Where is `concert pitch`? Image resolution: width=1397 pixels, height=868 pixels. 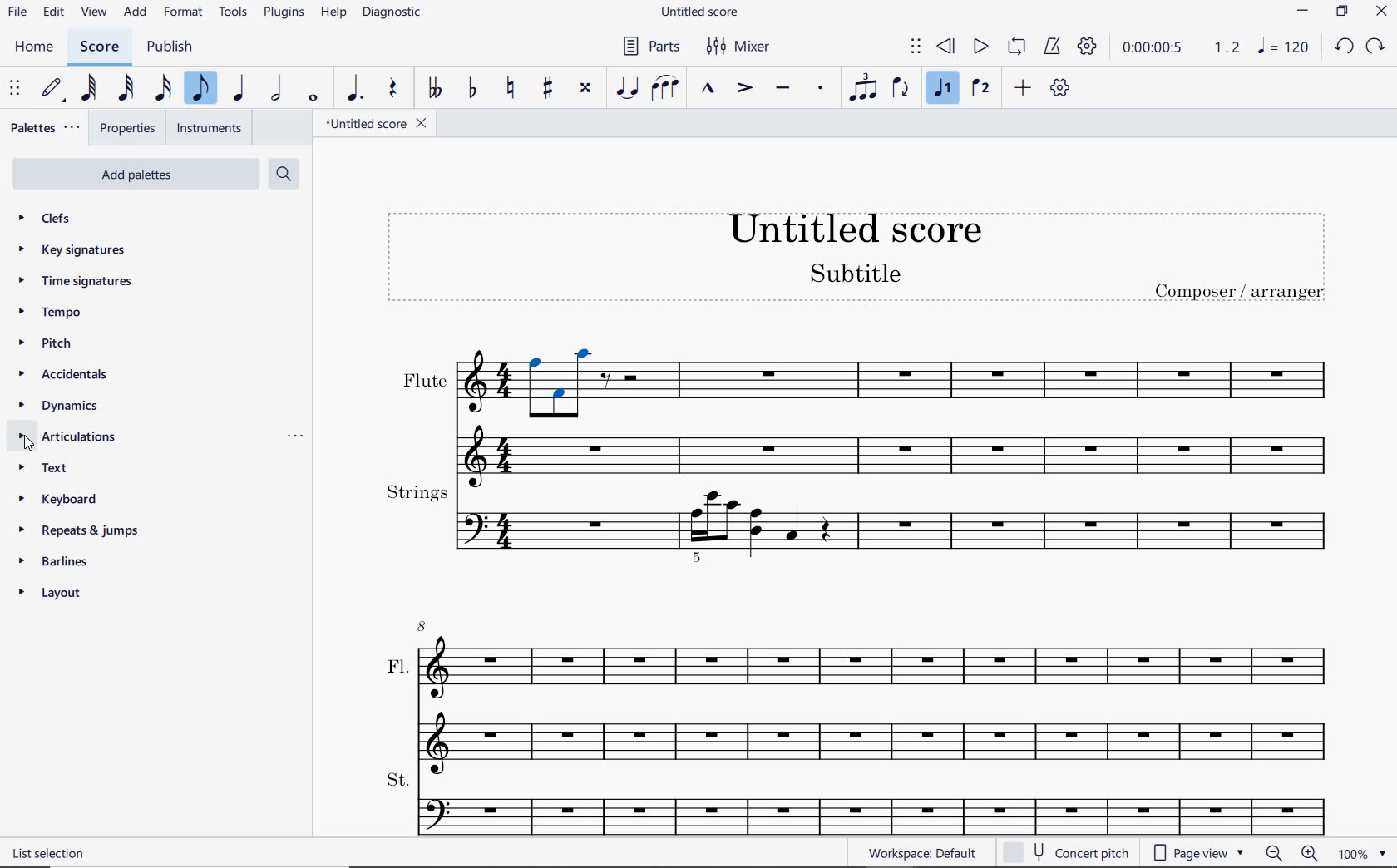
concert pitch is located at coordinates (1068, 851).